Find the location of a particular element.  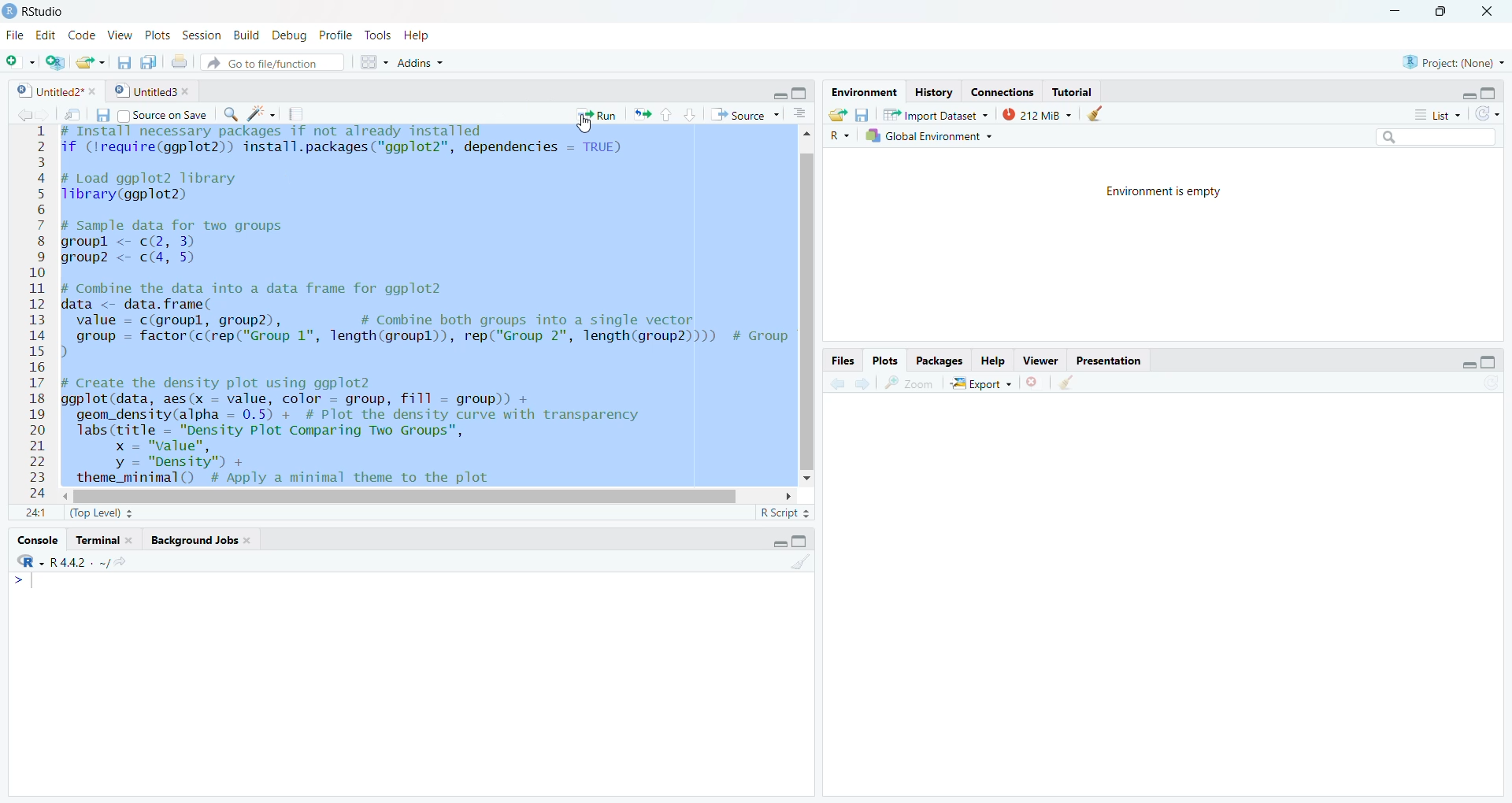

 is located at coordinates (28, 583).